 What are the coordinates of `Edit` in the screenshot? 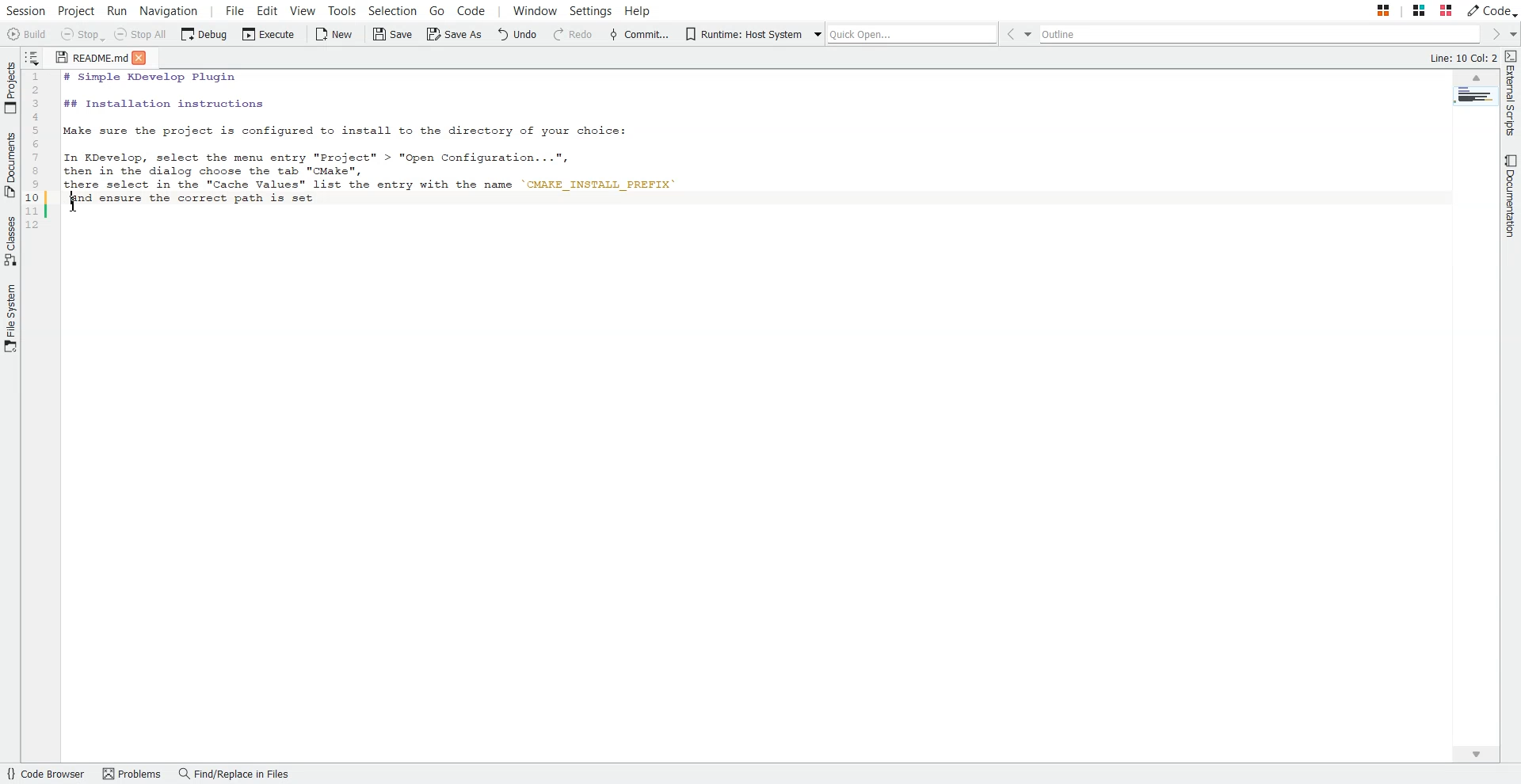 It's located at (268, 10).